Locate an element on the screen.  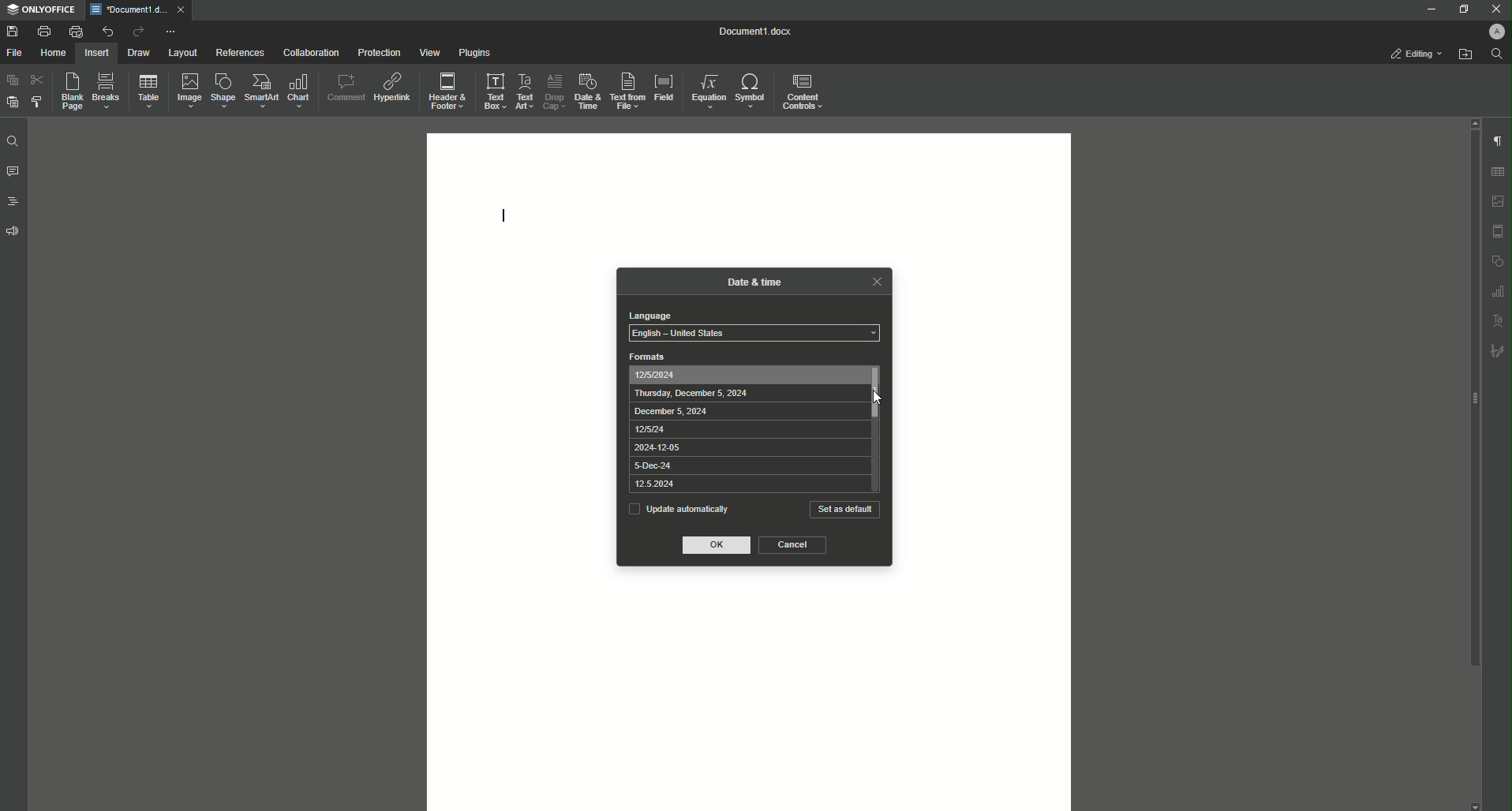
OK is located at coordinates (718, 546).